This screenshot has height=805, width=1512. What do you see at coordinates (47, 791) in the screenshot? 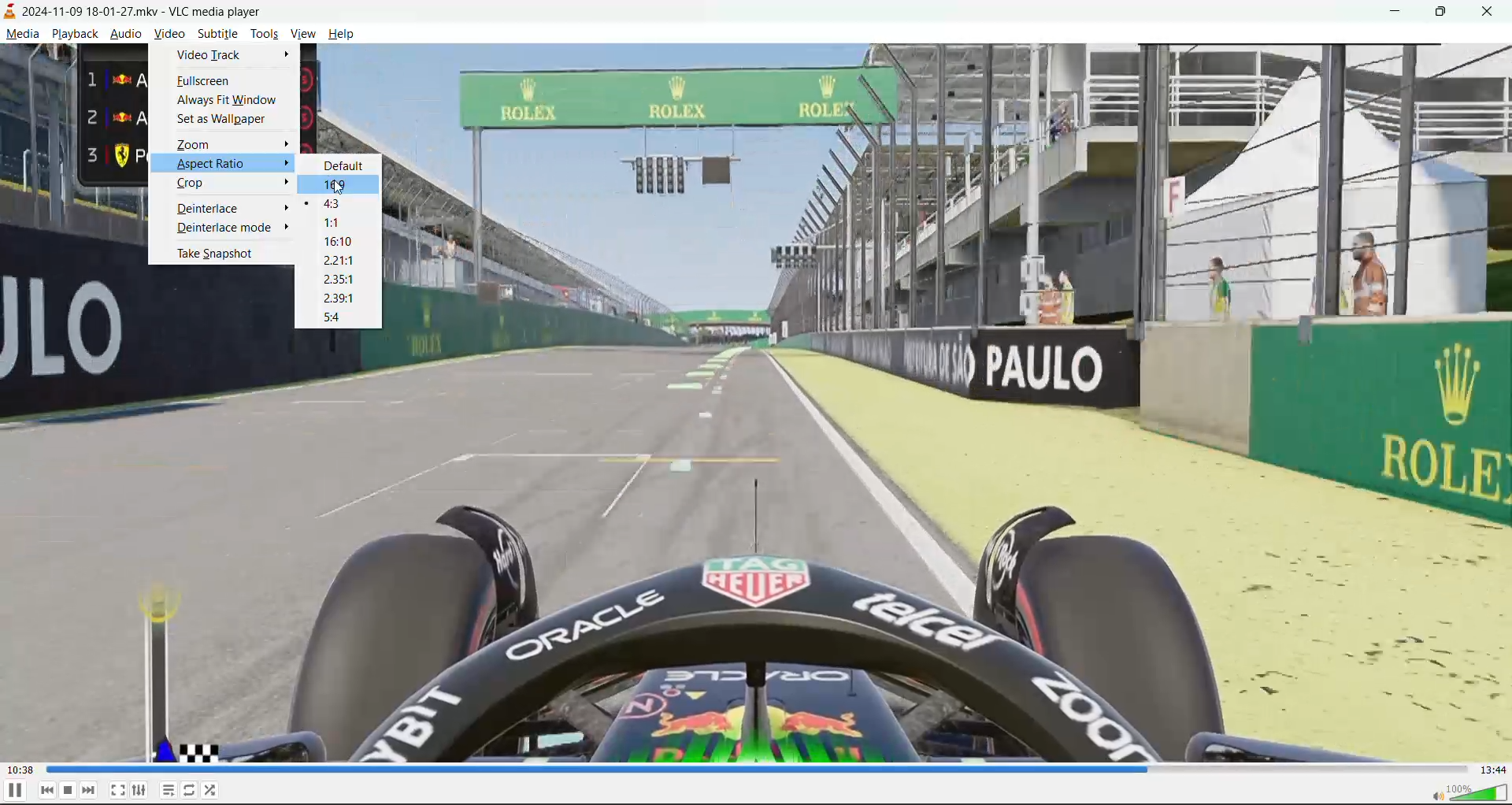
I see `previous` at bounding box center [47, 791].